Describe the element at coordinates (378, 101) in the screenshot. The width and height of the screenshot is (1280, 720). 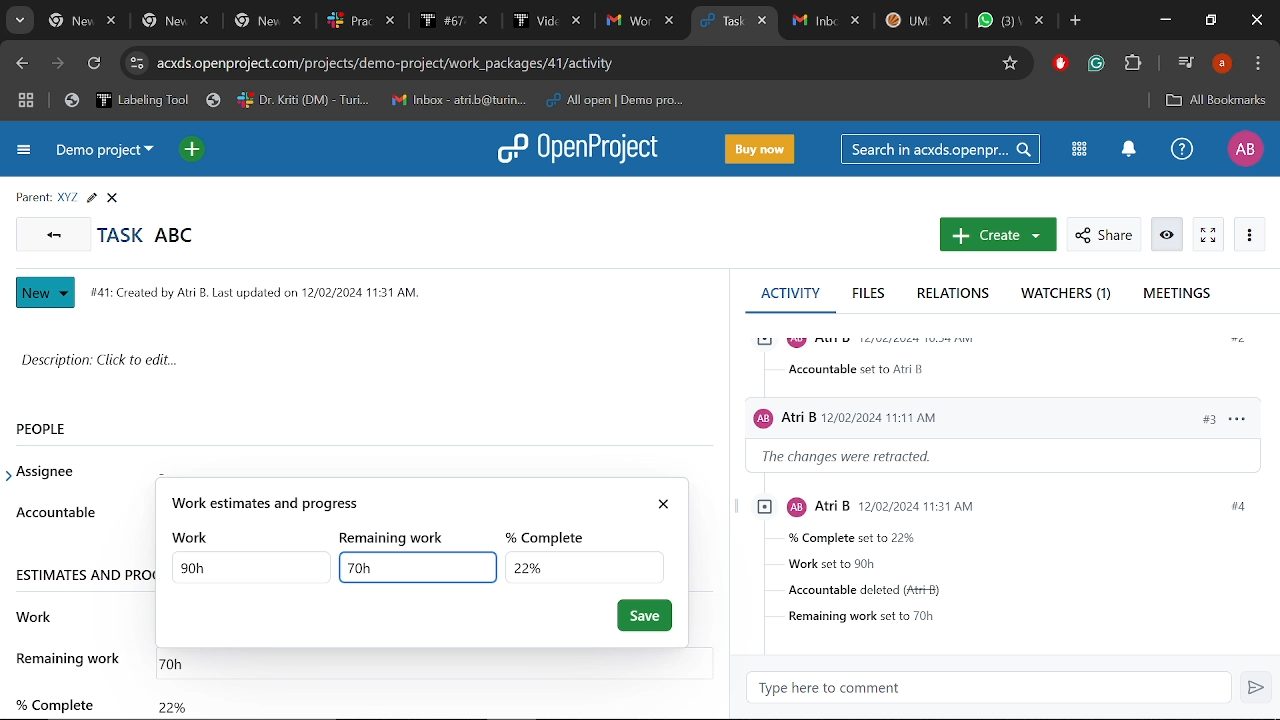
I see `Bookmarked tabs` at that location.